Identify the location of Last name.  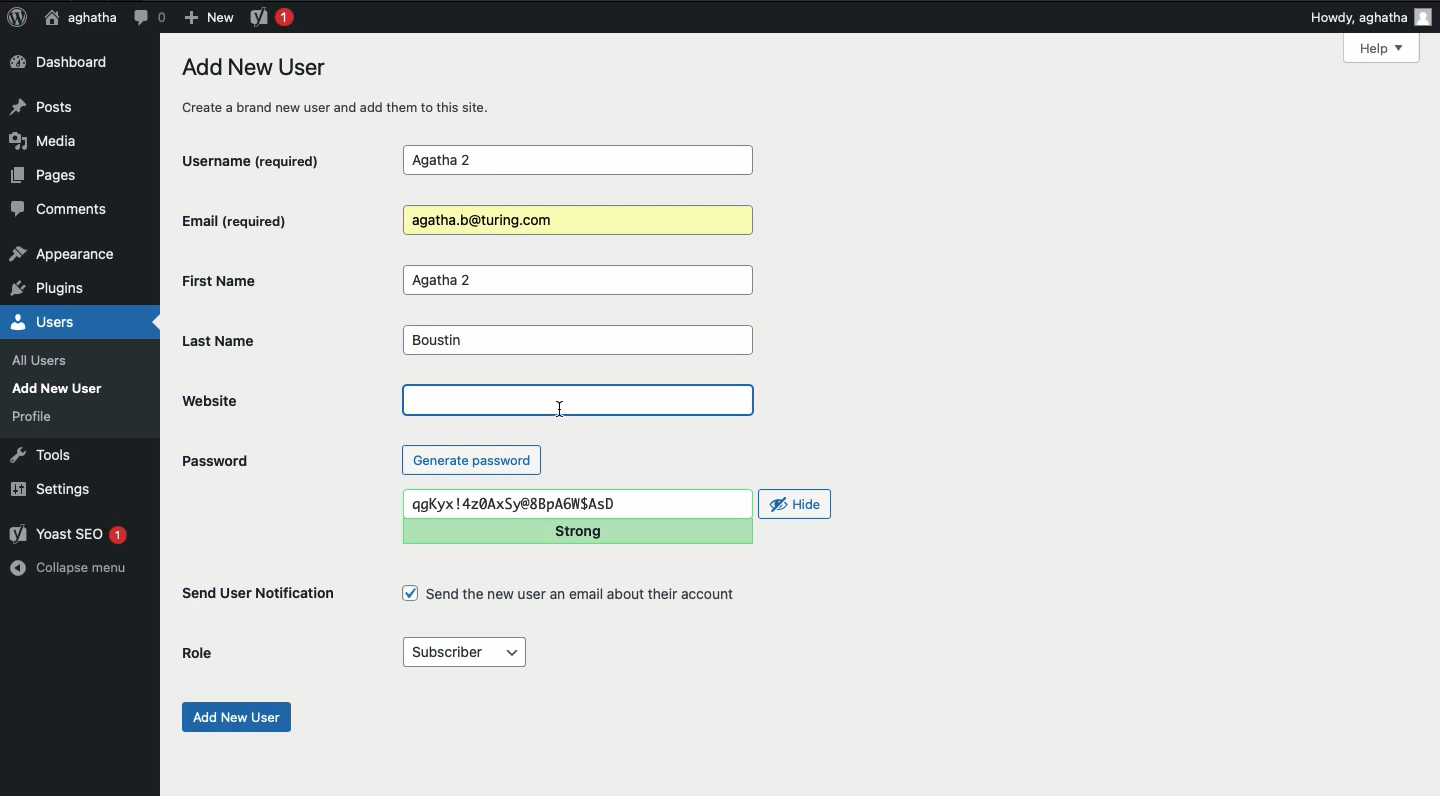
(234, 341).